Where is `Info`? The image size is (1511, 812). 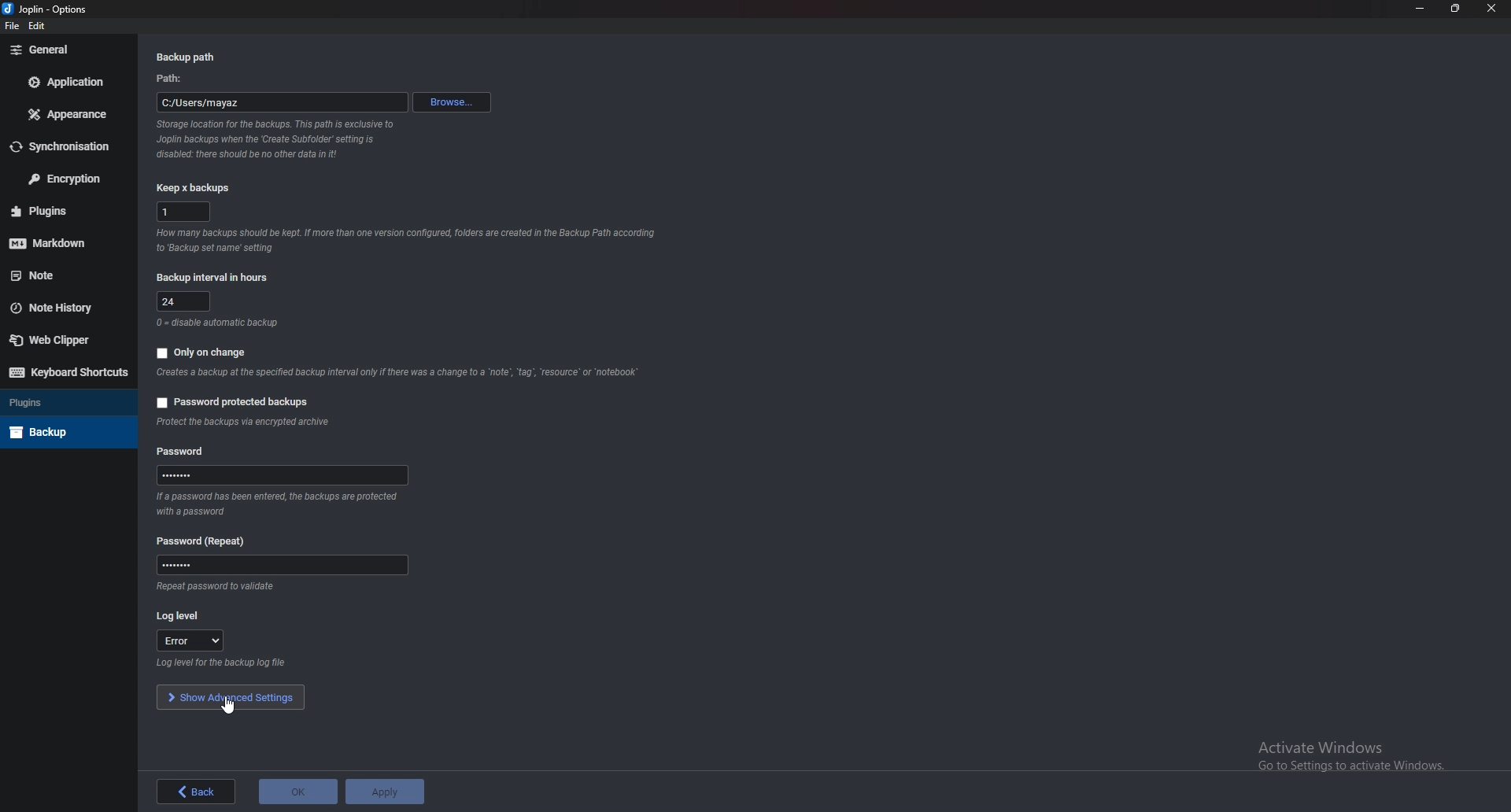 Info is located at coordinates (243, 422).